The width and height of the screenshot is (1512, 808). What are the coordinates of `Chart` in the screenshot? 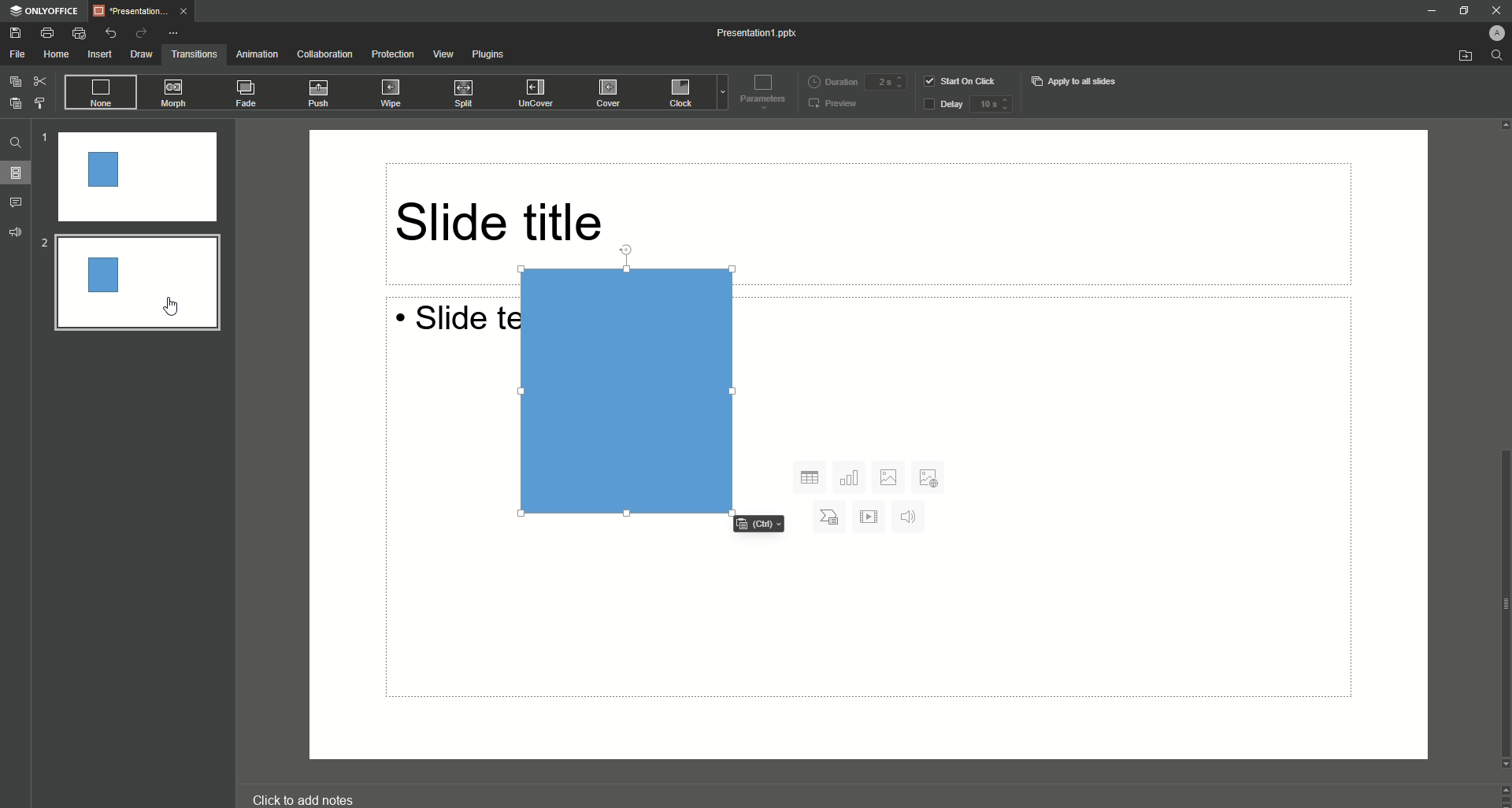 It's located at (851, 478).